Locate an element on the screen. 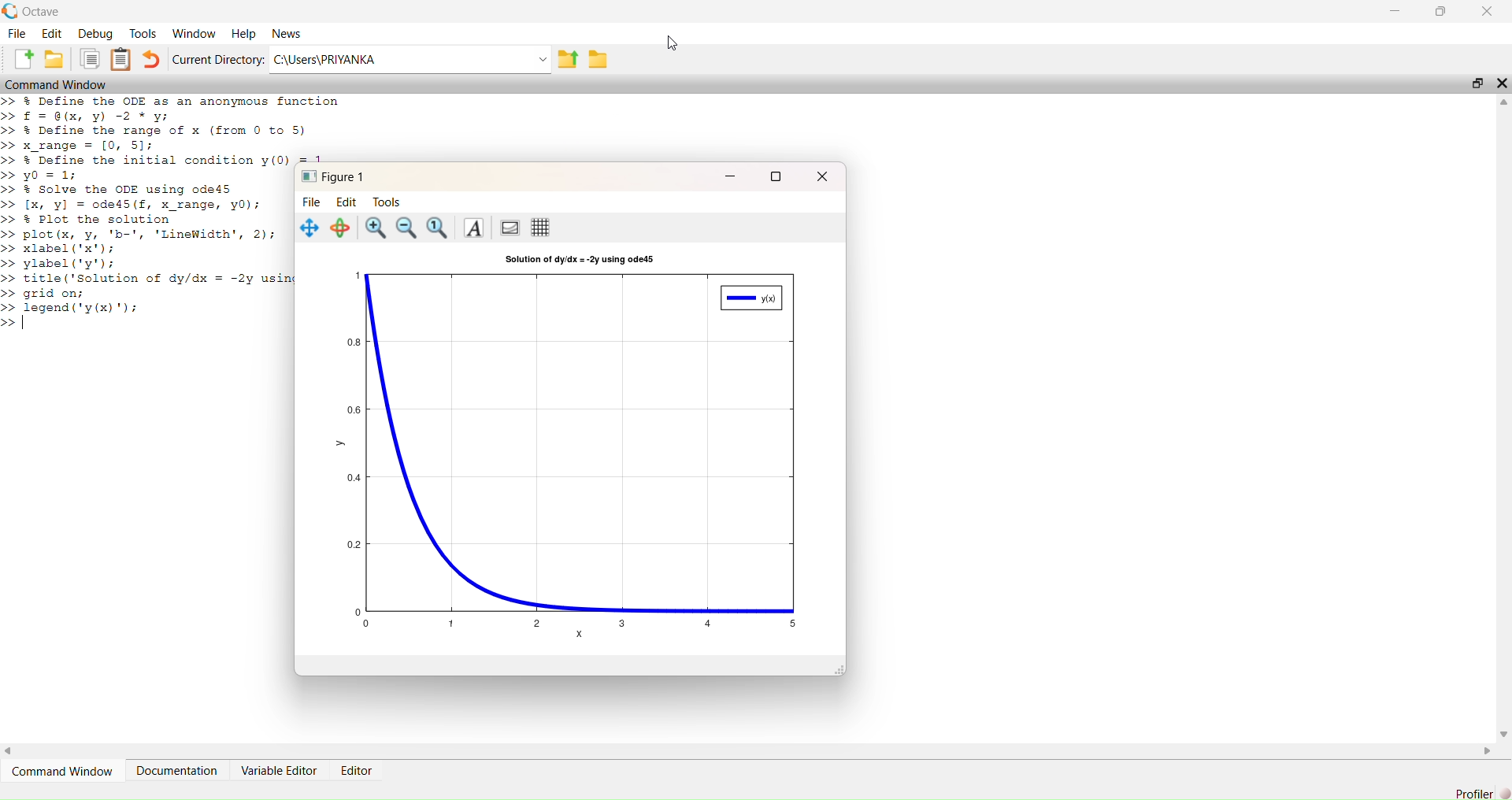  horizontal scroll bar is located at coordinates (749, 750).